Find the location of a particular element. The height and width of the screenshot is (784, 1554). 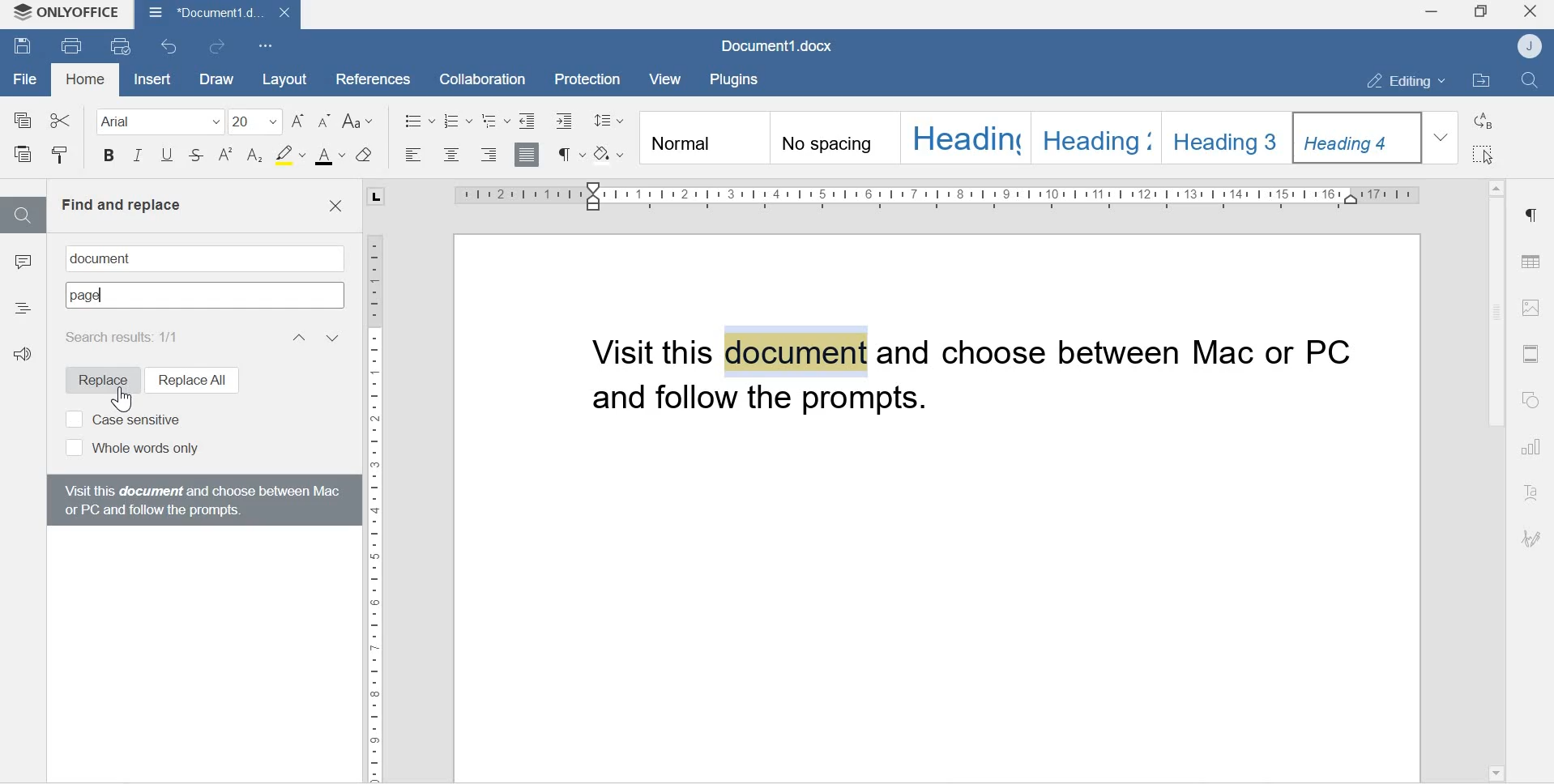

Subscript is located at coordinates (255, 156).